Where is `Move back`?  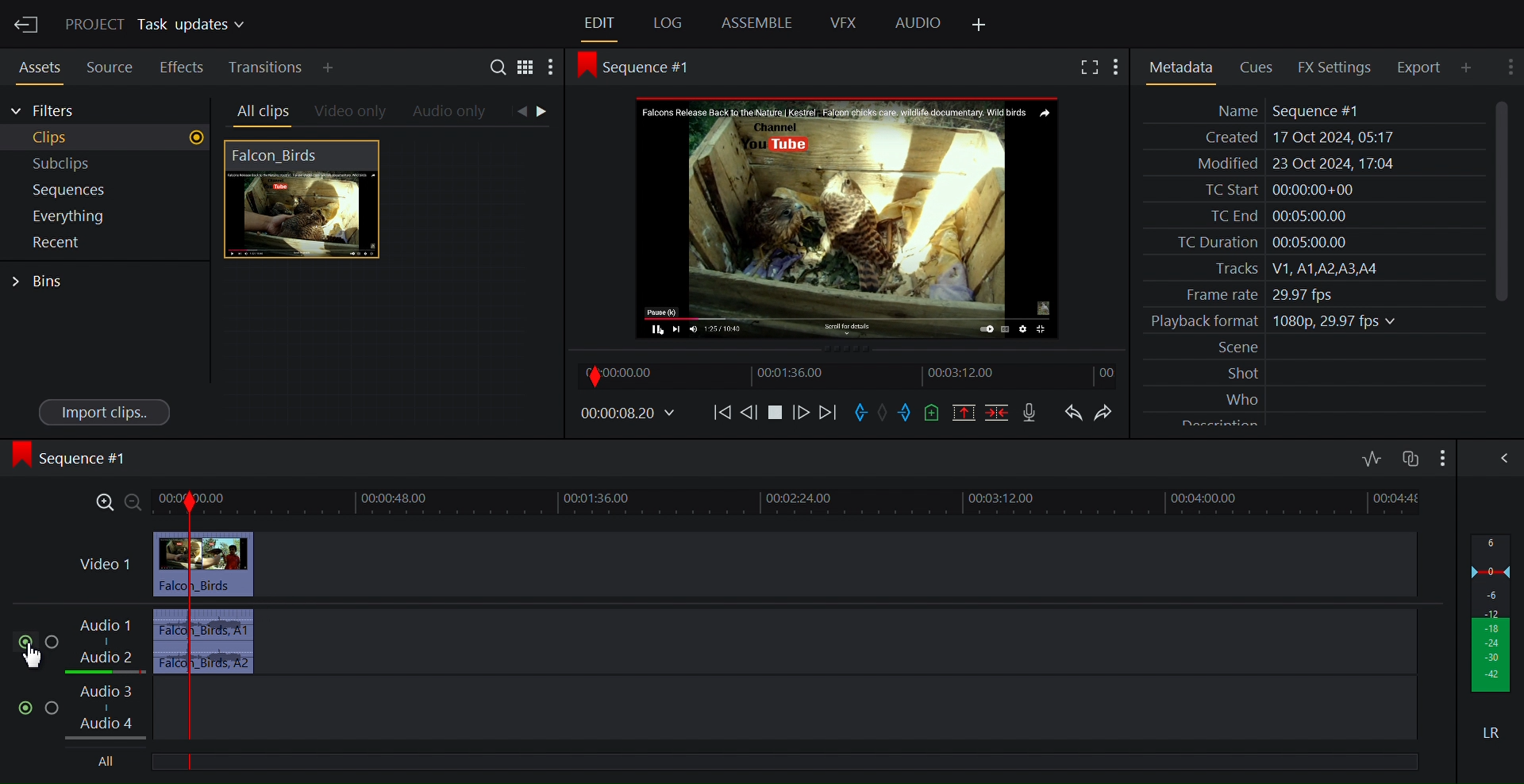
Move back is located at coordinates (722, 415).